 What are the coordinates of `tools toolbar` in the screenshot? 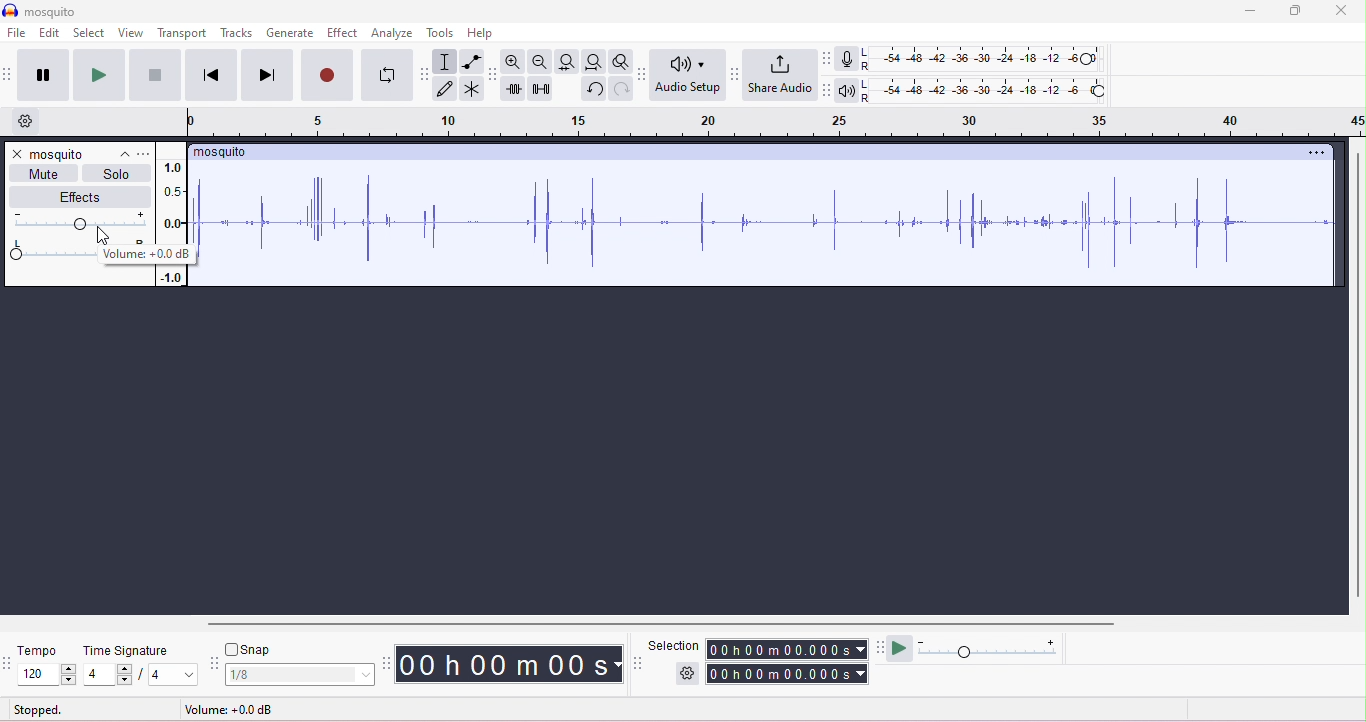 It's located at (425, 74).